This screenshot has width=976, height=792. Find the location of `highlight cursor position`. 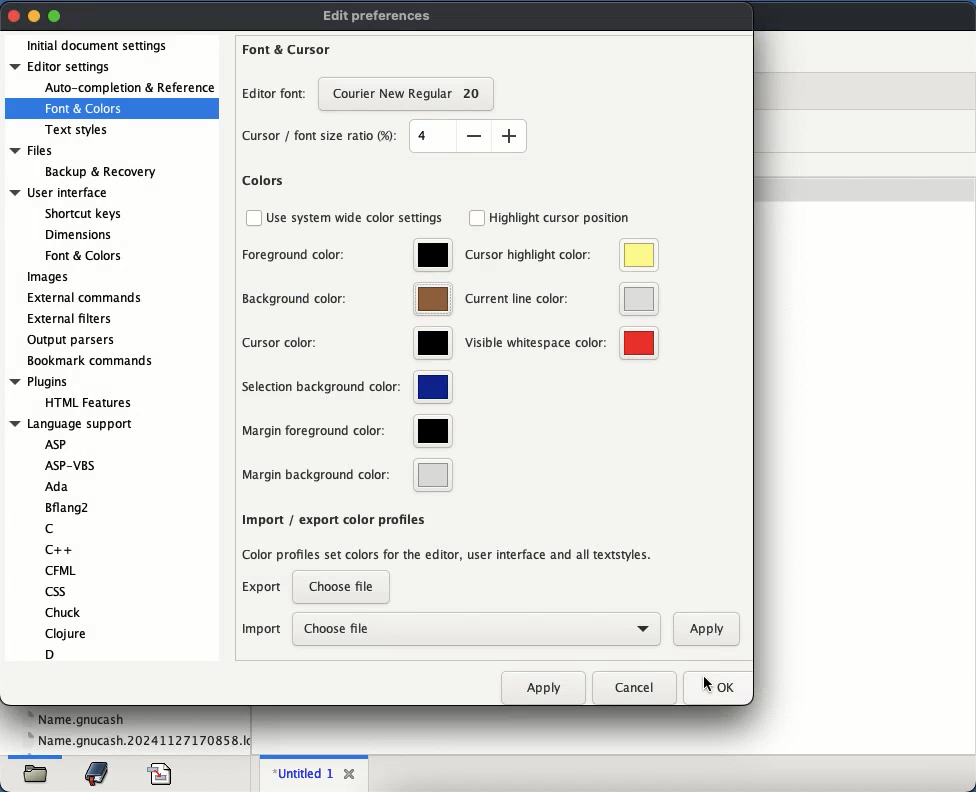

highlight cursor position is located at coordinates (564, 215).